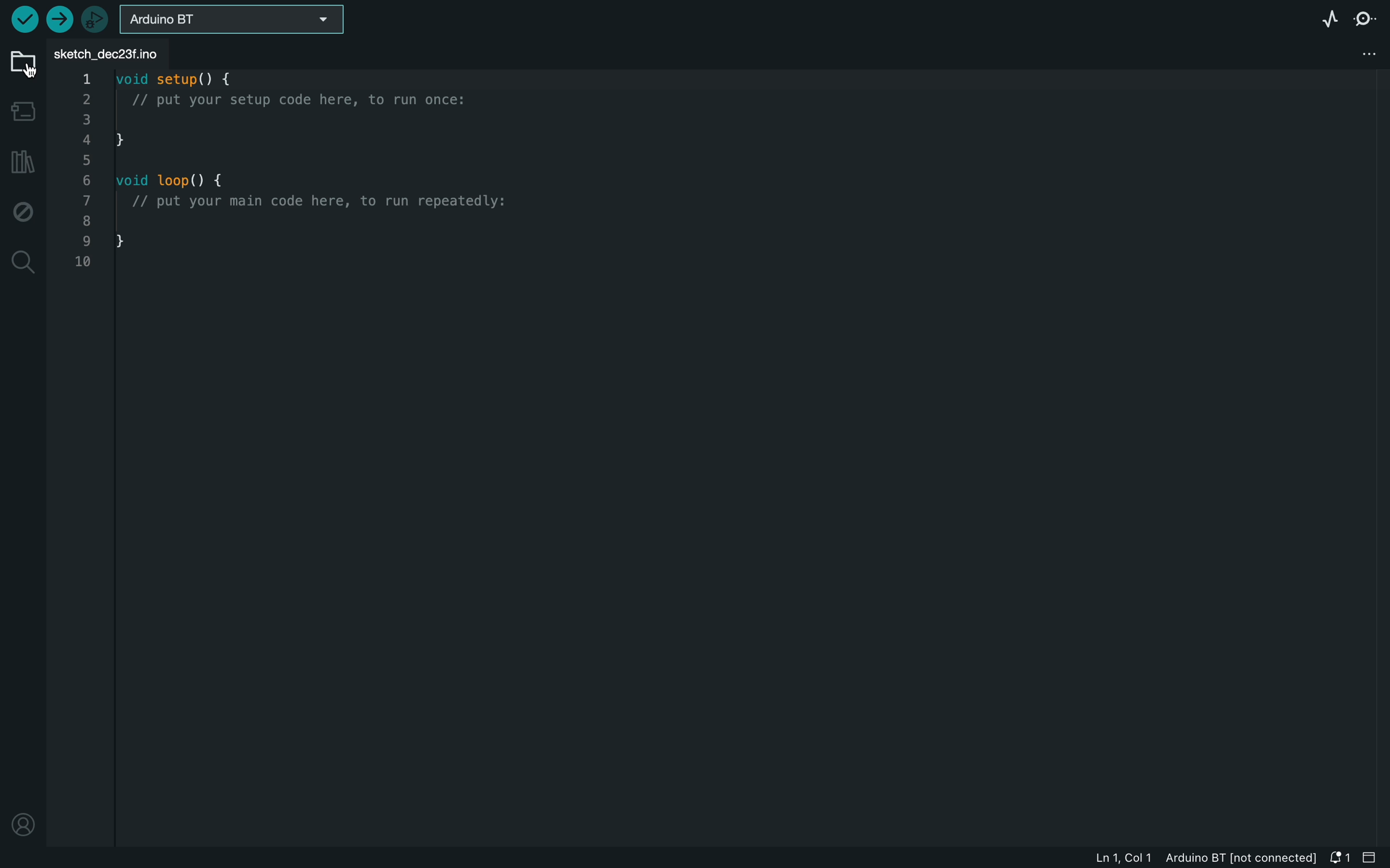 The height and width of the screenshot is (868, 1390). What do you see at coordinates (22, 261) in the screenshot?
I see `search` at bounding box center [22, 261].